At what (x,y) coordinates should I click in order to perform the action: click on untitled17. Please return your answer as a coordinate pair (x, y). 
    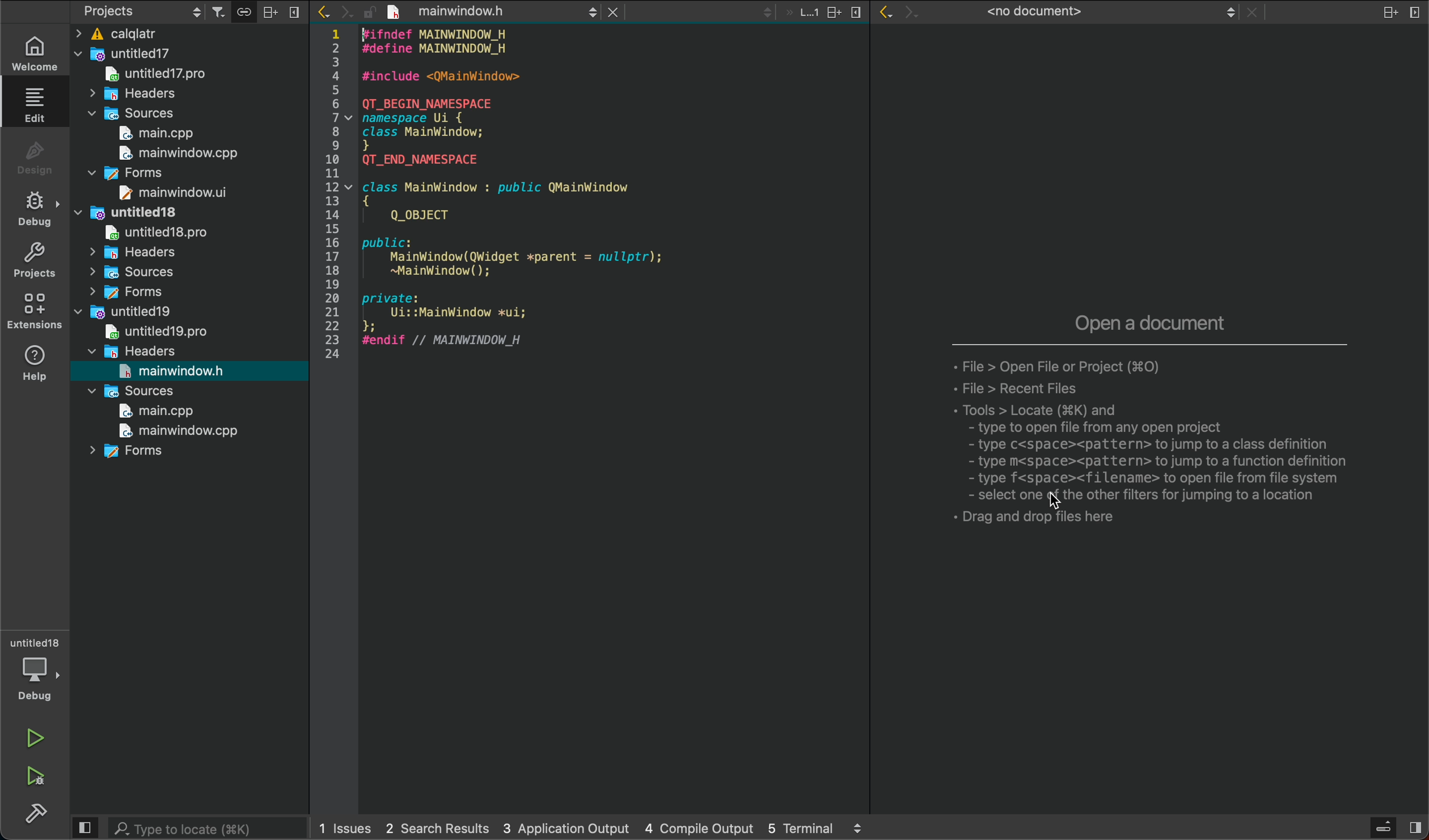
    Looking at the image, I should click on (129, 54).